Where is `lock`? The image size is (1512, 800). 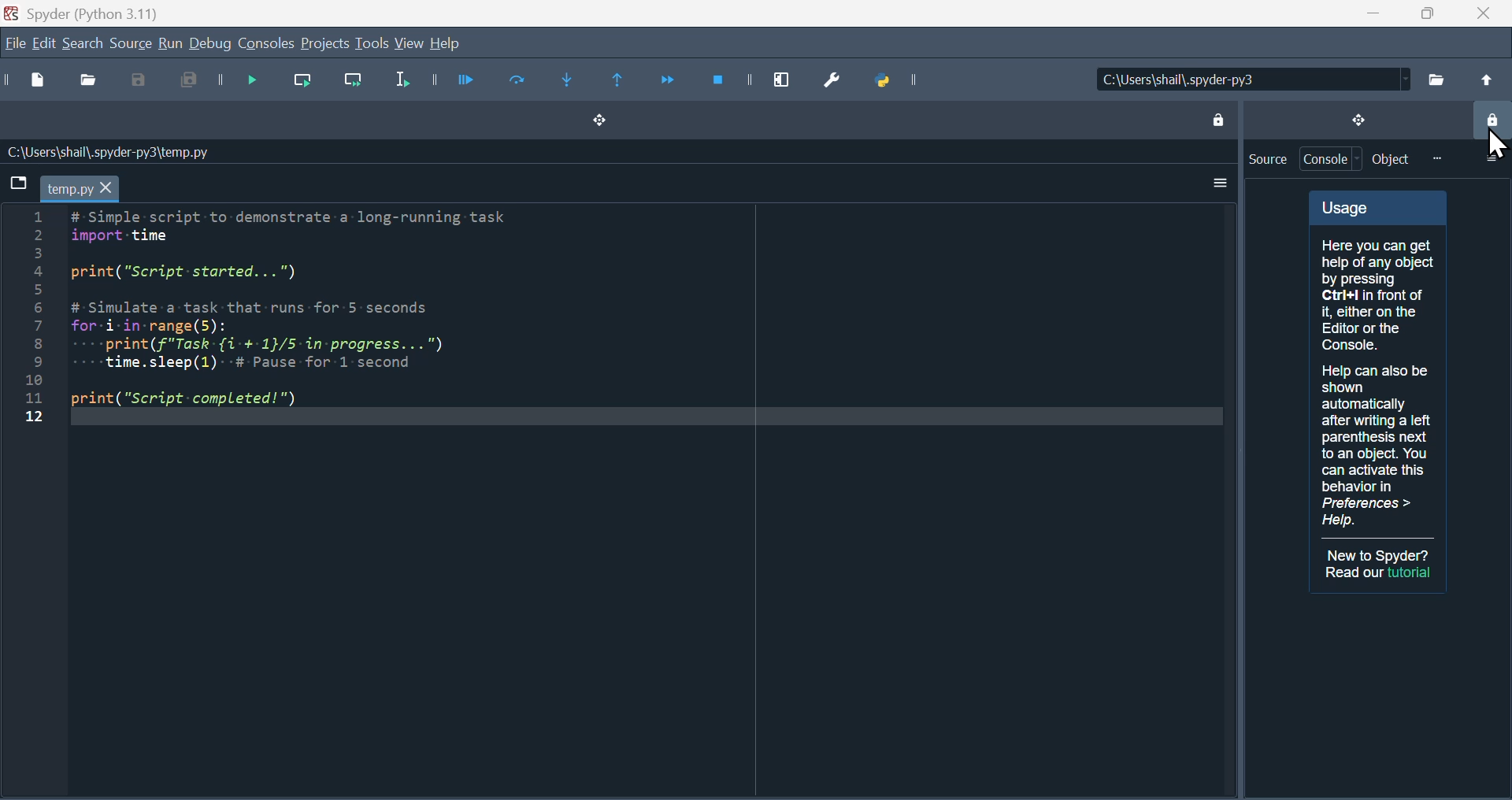
lock is located at coordinates (1491, 122).